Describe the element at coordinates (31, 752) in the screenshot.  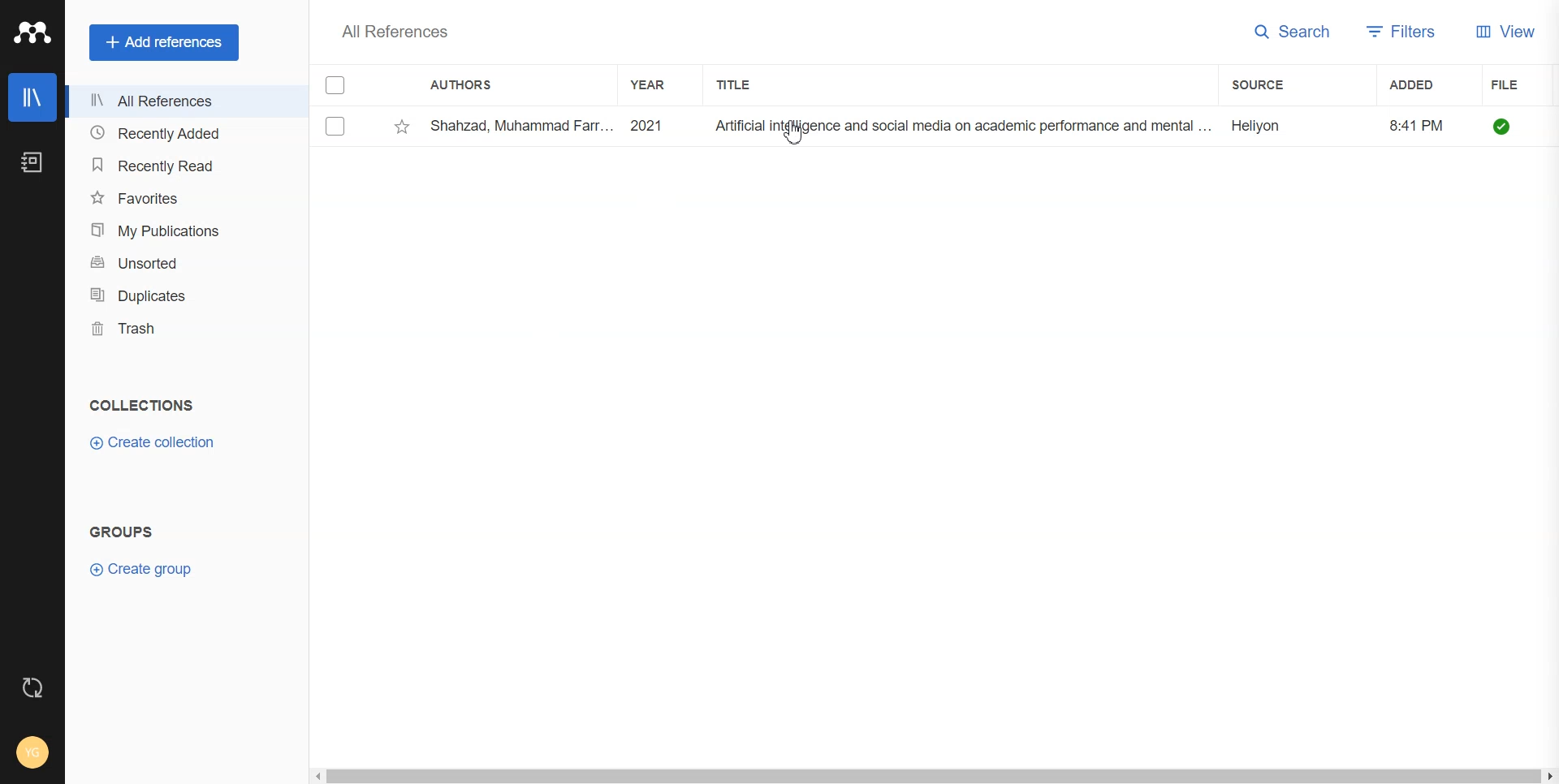
I see `Account` at that location.